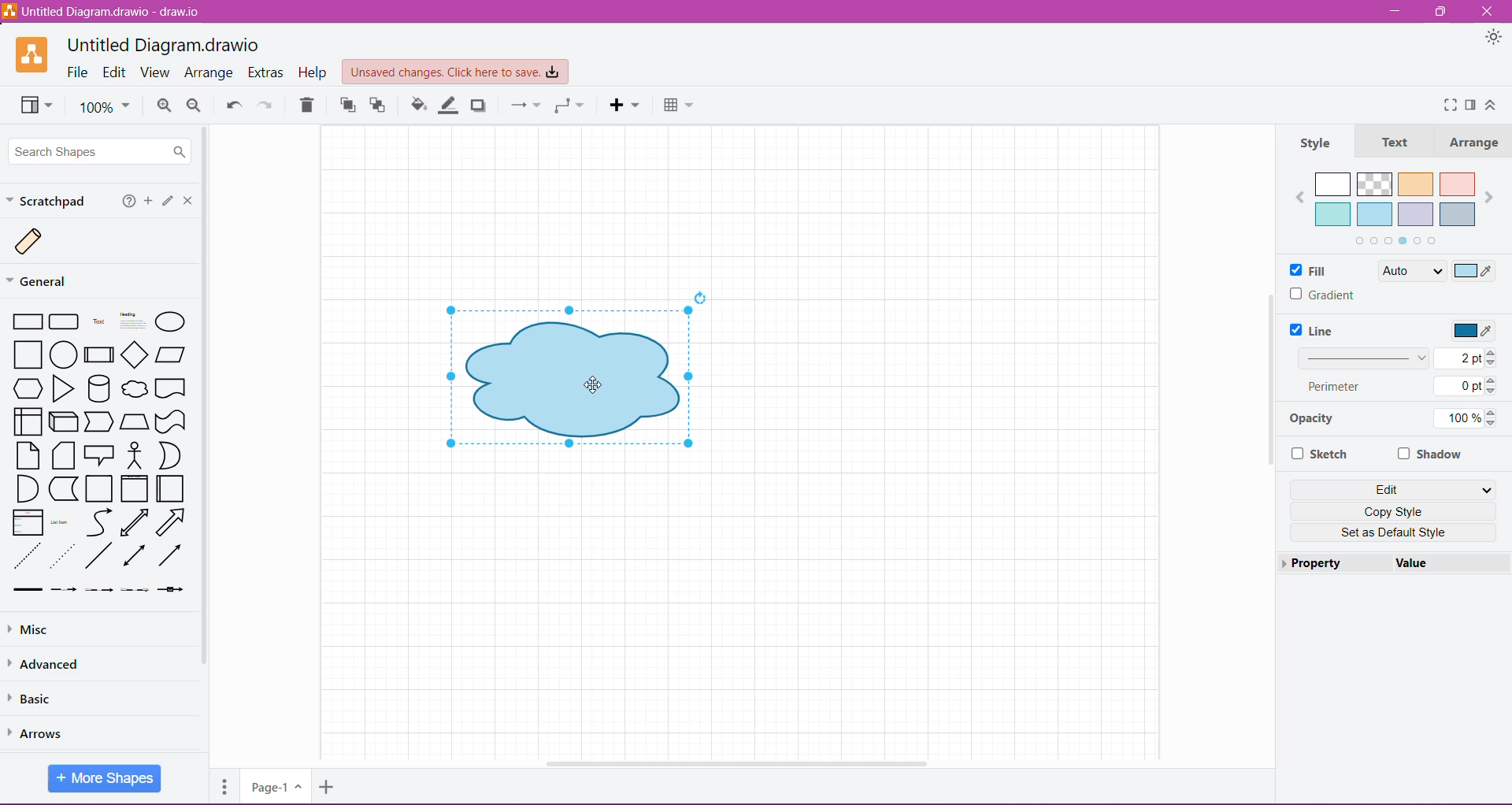  Describe the element at coordinates (1319, 454) in the screenshot. I see `Sketch ` at that location.